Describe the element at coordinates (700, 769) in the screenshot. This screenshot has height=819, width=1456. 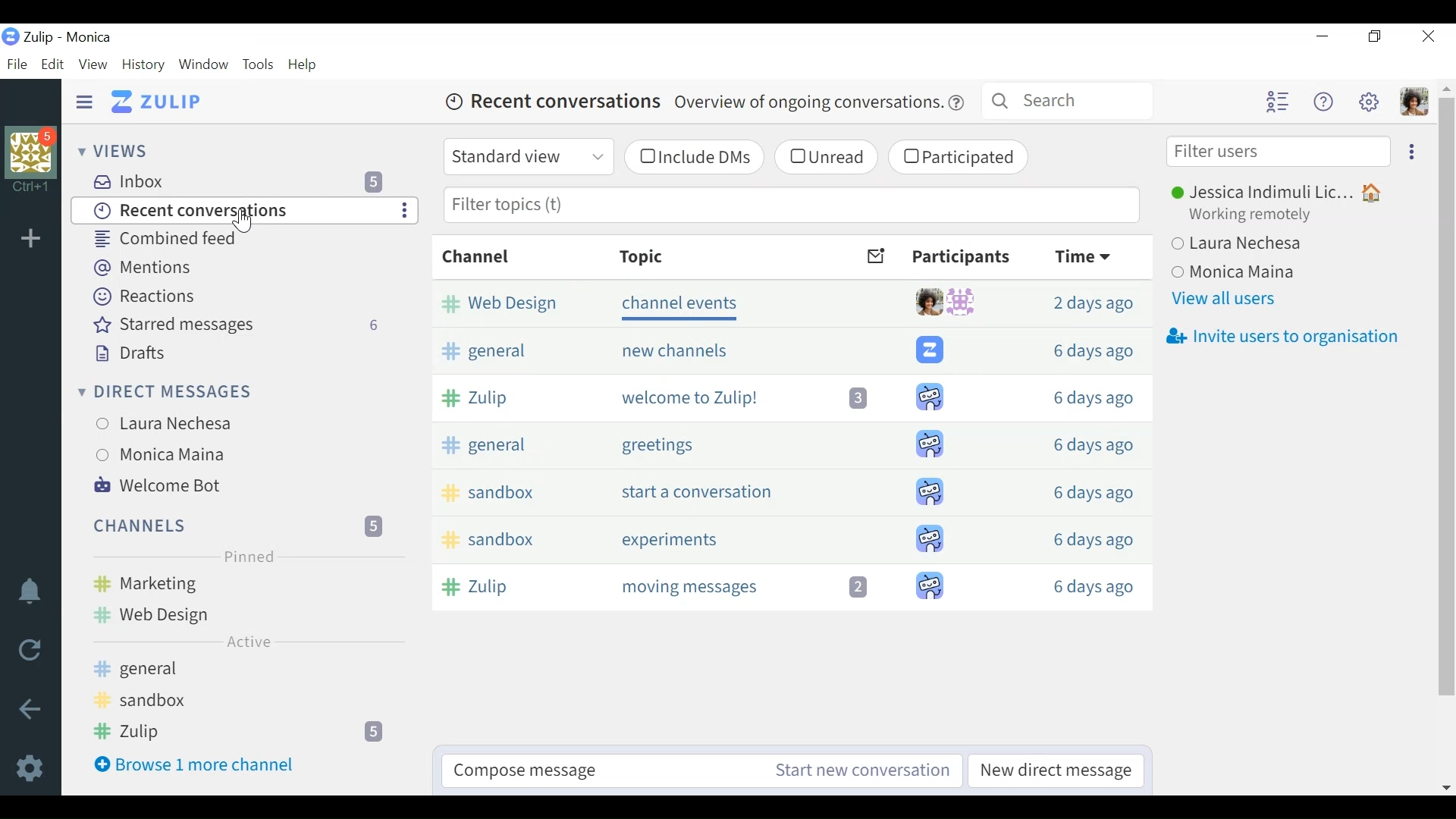
I see `Compose message Start new conversation` at that location.